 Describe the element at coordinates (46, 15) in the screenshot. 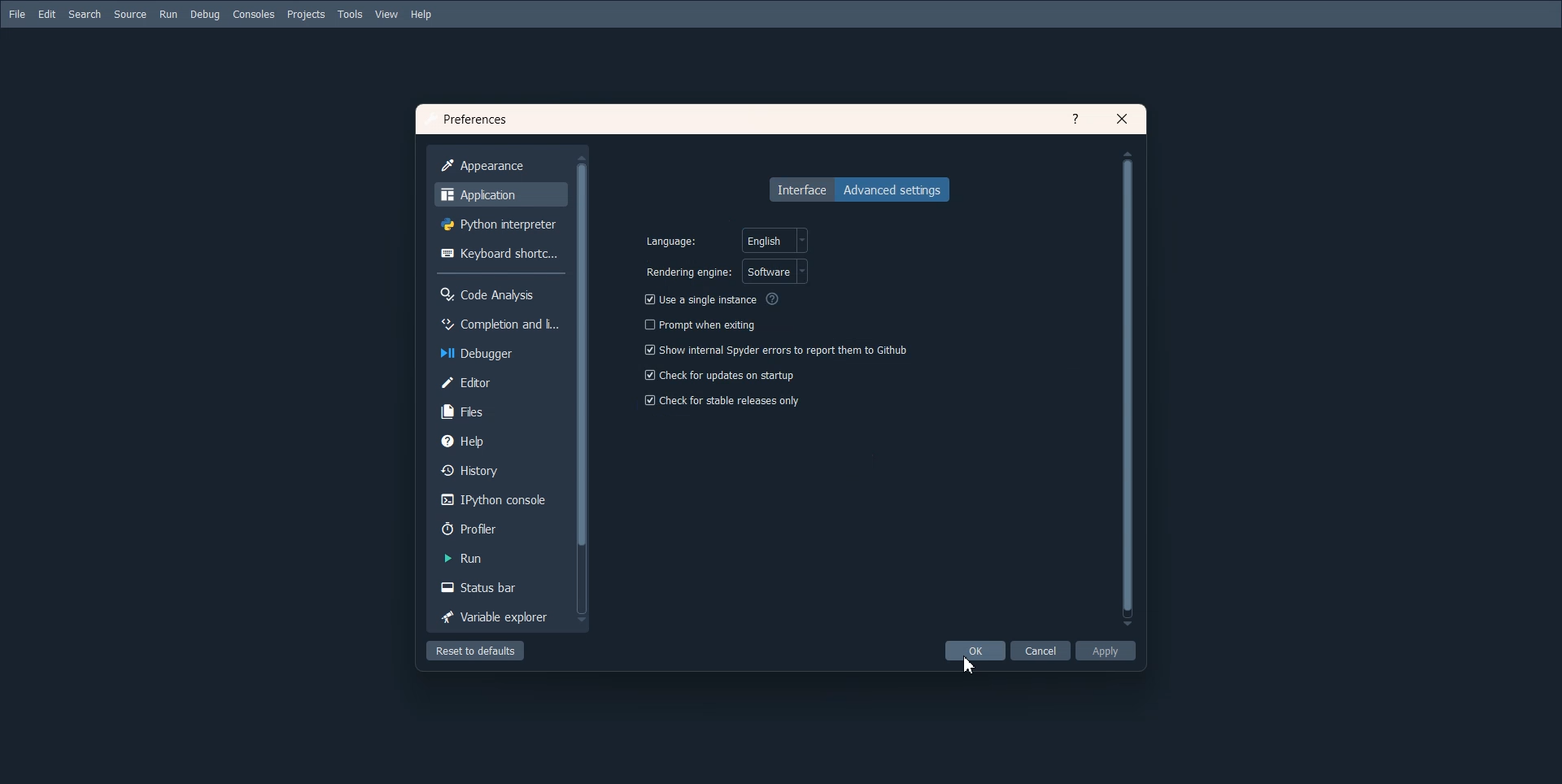

I see `Edit` at that location.